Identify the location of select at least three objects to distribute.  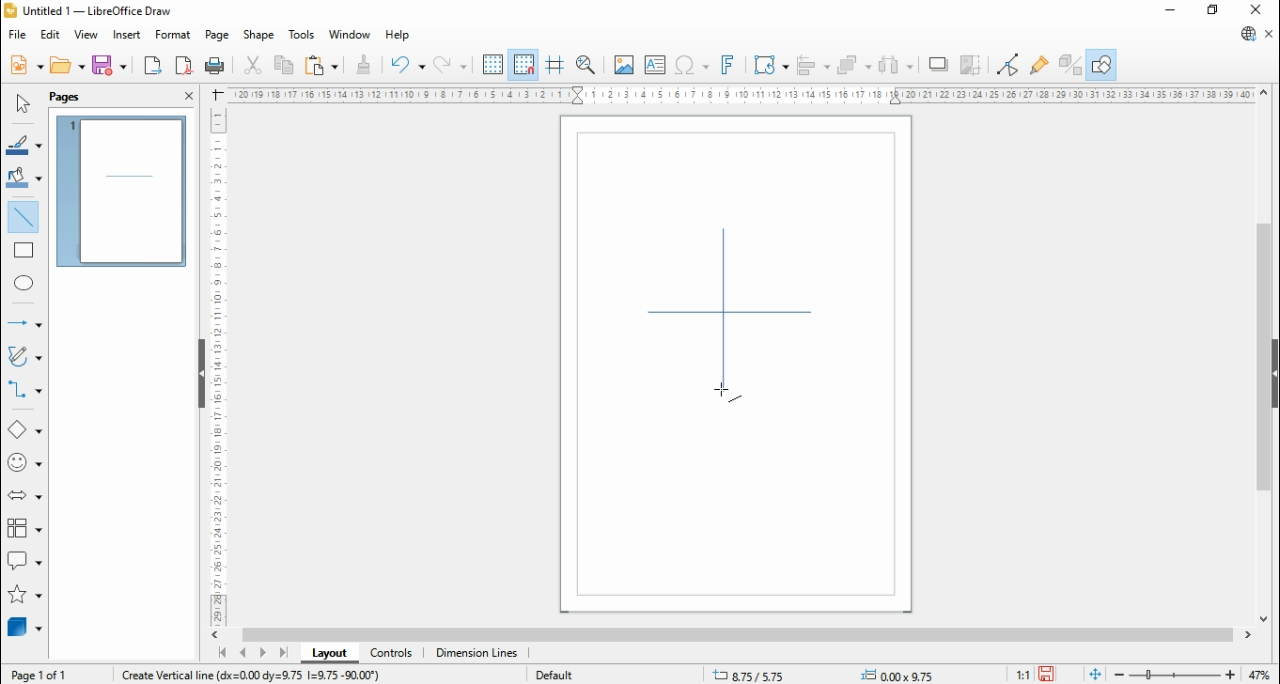
(897, 65).